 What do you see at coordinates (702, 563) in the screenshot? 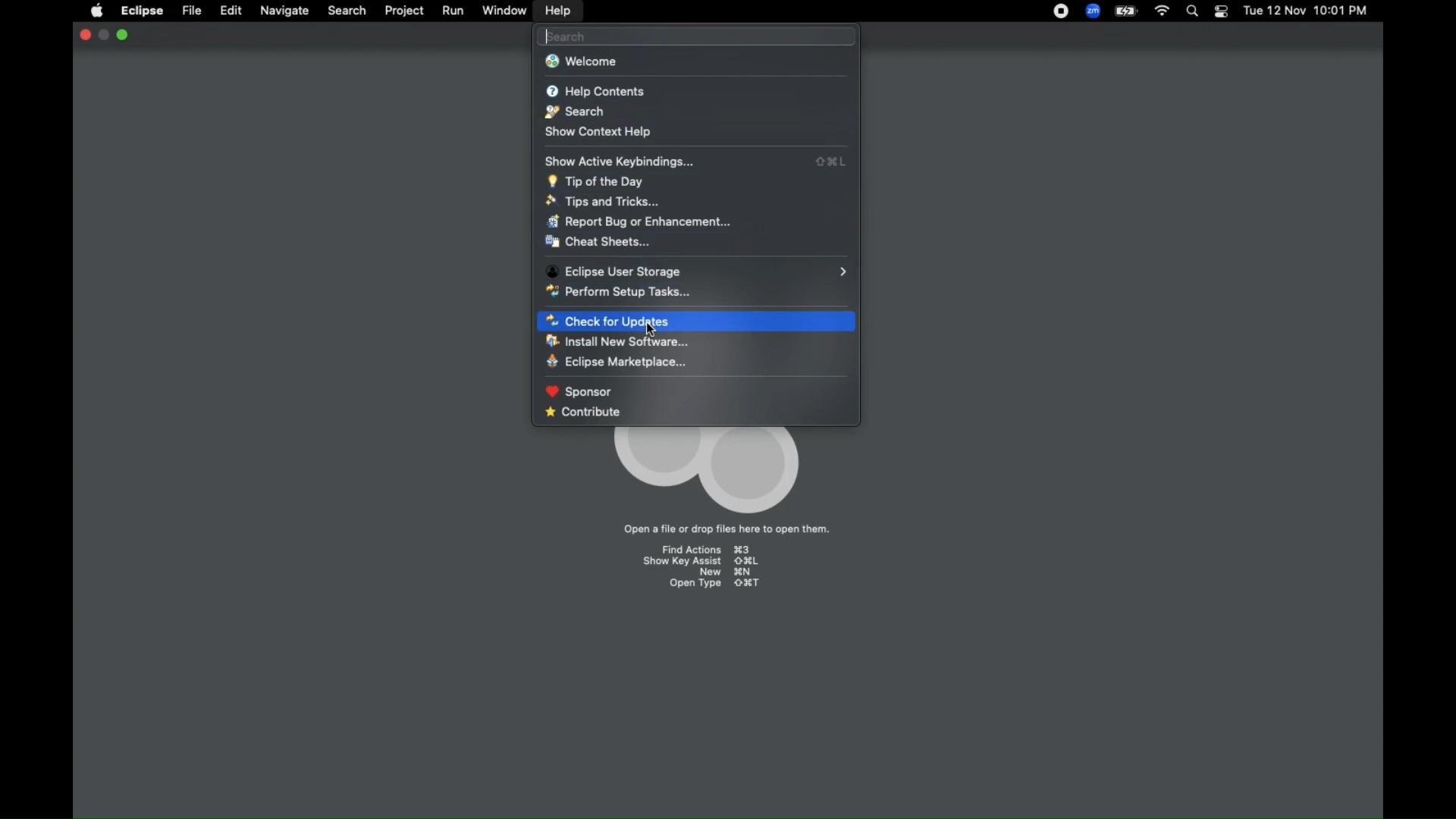
I see `show key assist ` at bounding box center [702, 563].